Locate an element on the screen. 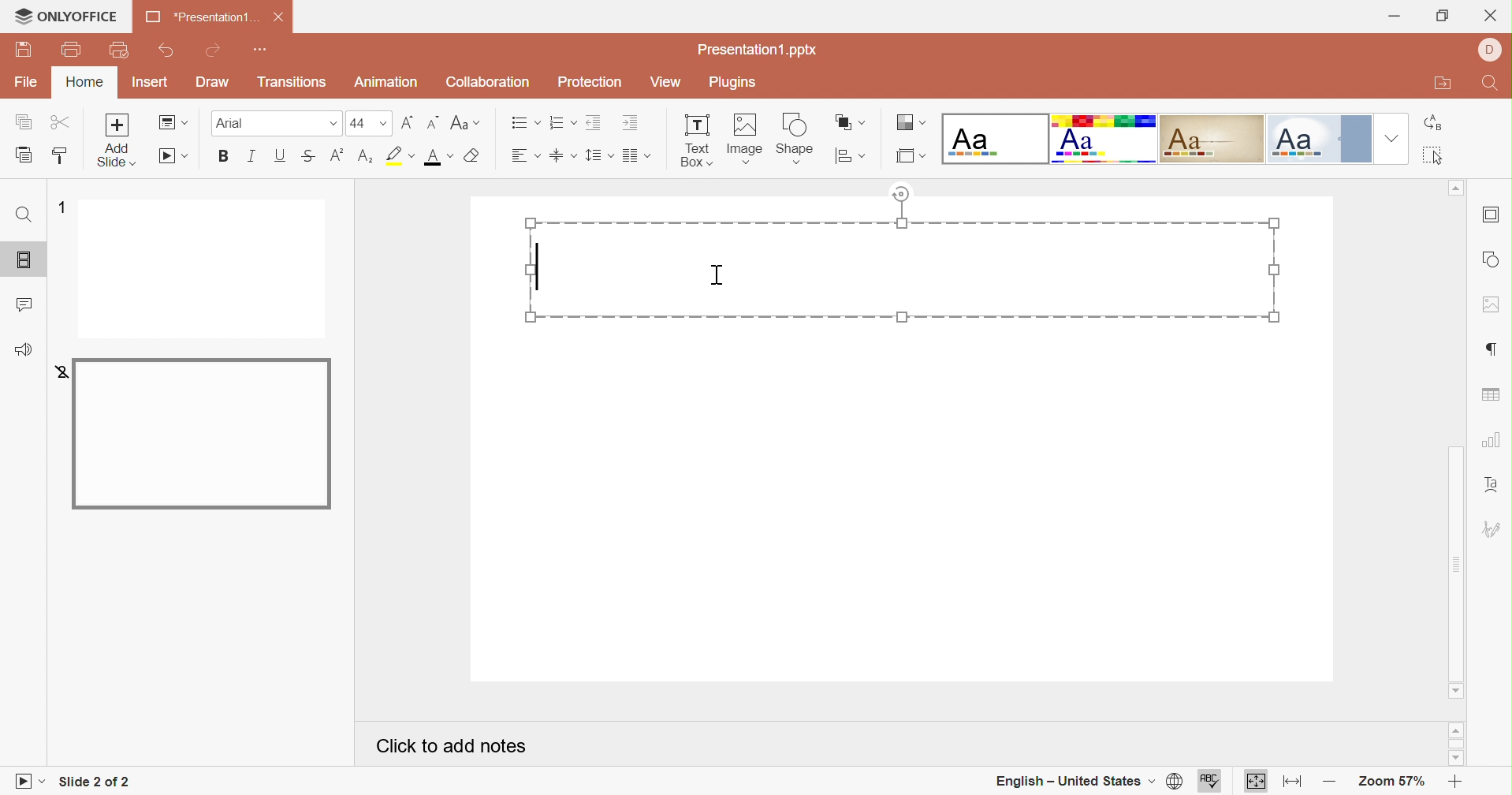 This screenshot has height=795, width=1512. Restore down is located at coordinates (1441, 17).